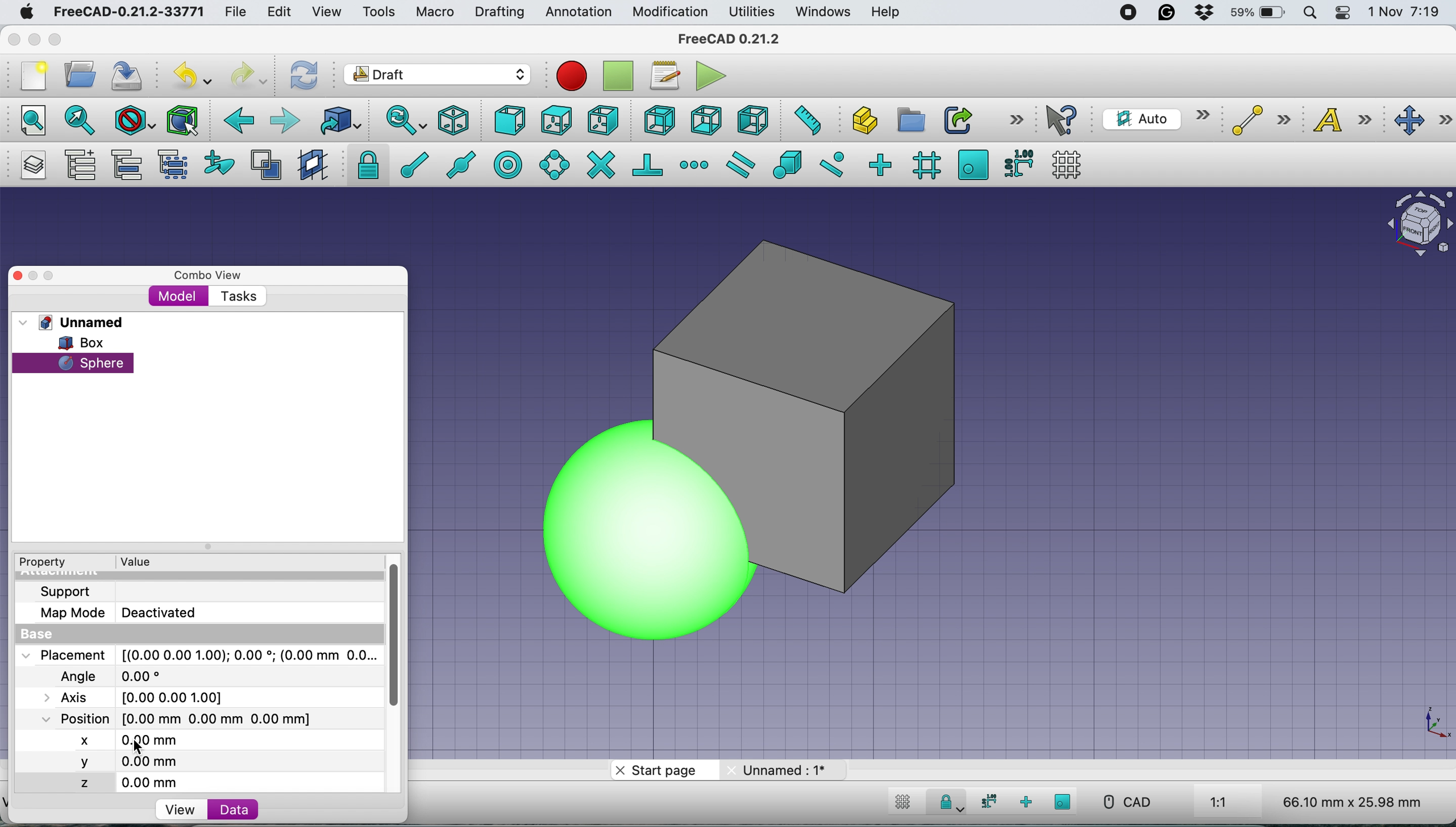  I want to click on top, so click(556, 119).